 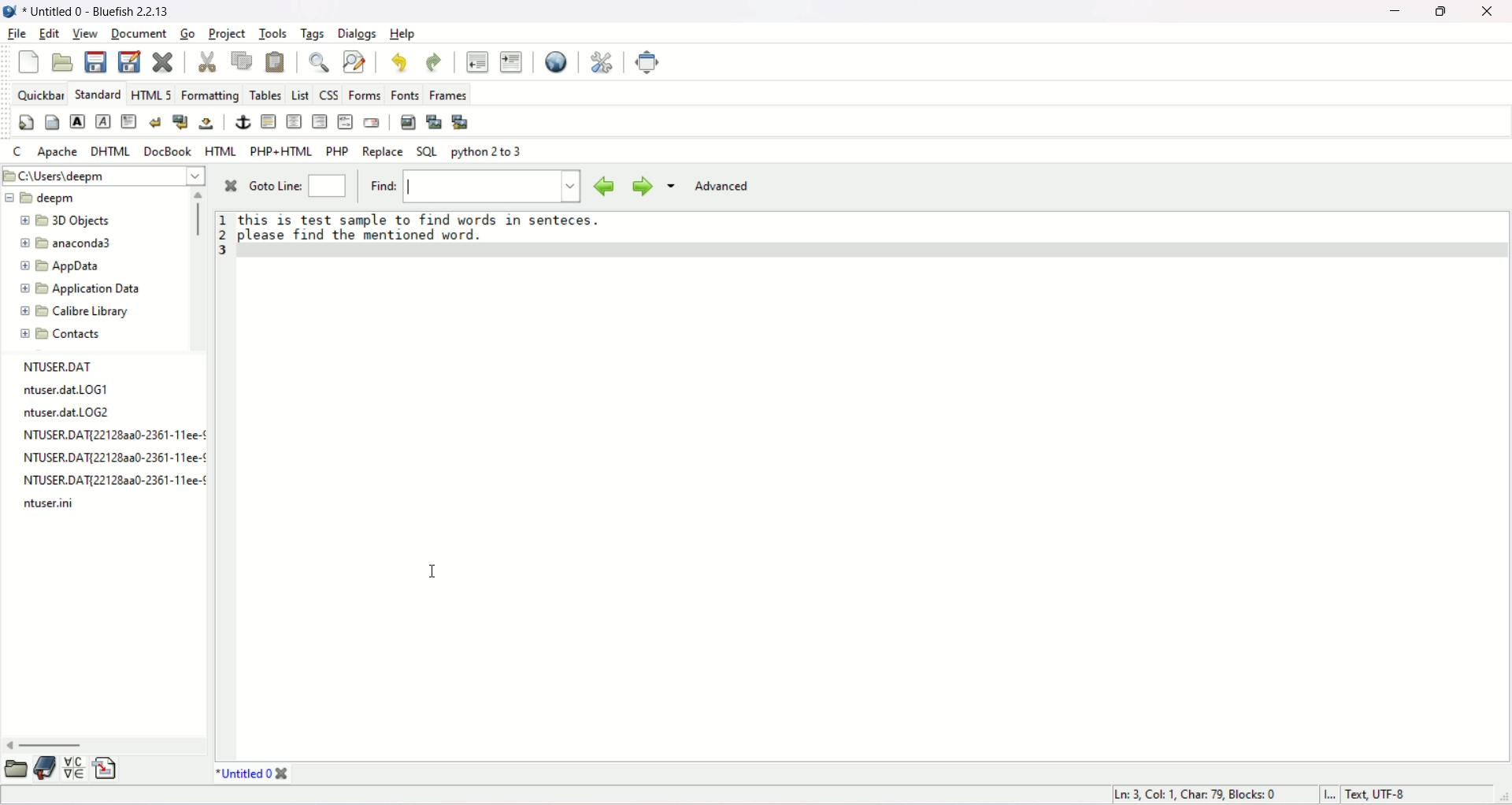 I want to click on vertical scroll bar, so click(x=195, y=217).